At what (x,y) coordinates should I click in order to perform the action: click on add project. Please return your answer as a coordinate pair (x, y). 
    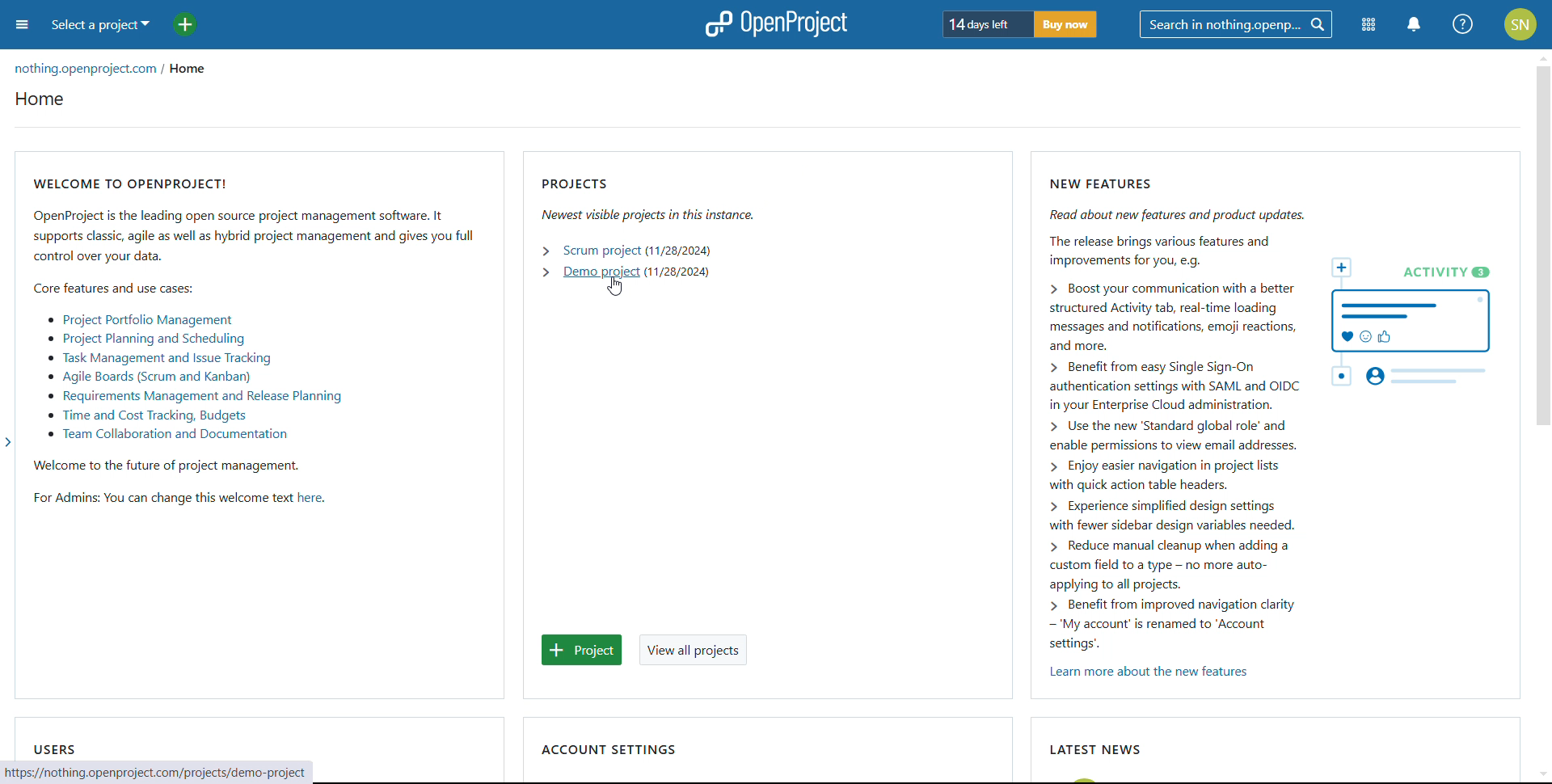
    Looking at the image, I should click on (582, 651).